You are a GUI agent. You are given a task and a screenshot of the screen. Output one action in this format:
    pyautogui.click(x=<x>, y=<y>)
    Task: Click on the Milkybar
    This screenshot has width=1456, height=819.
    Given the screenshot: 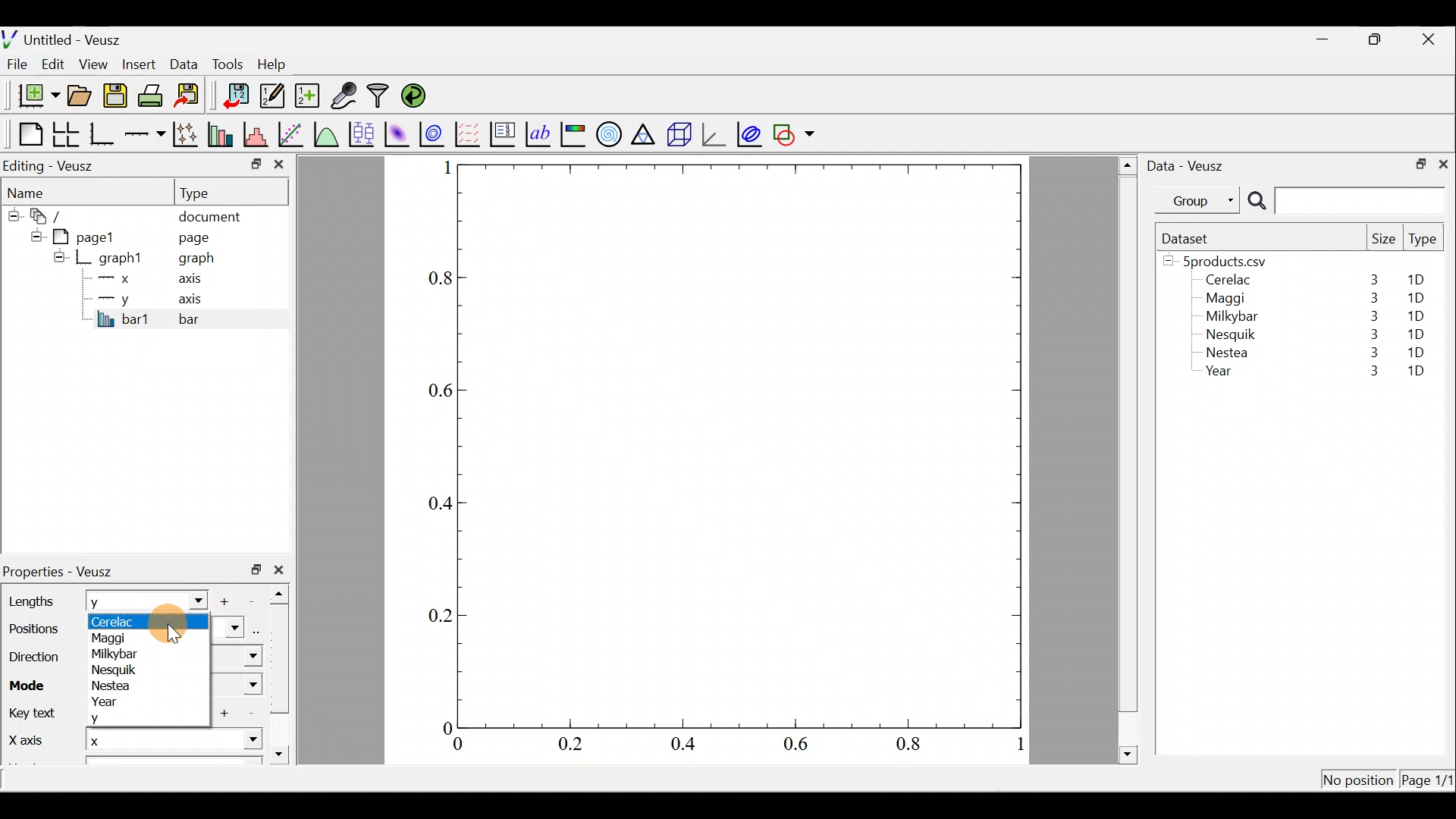 What is the action you would take?
    pyautogui.click(x=118, y=653)
    